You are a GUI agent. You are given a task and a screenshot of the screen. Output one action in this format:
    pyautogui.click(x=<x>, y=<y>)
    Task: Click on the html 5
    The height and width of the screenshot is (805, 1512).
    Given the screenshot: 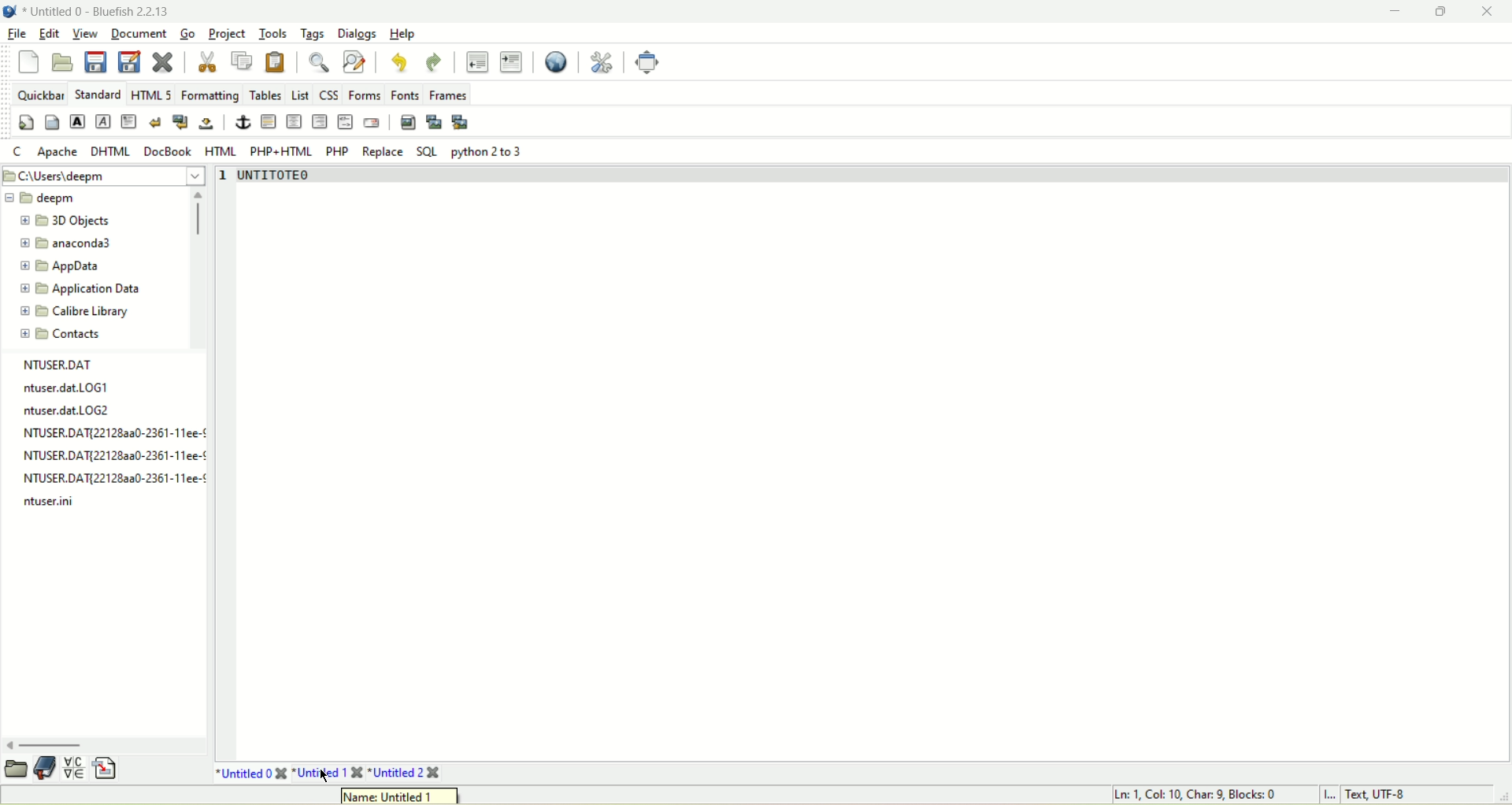 What is the action you would take?
    pyautogui.click(x=151, y=91)
    